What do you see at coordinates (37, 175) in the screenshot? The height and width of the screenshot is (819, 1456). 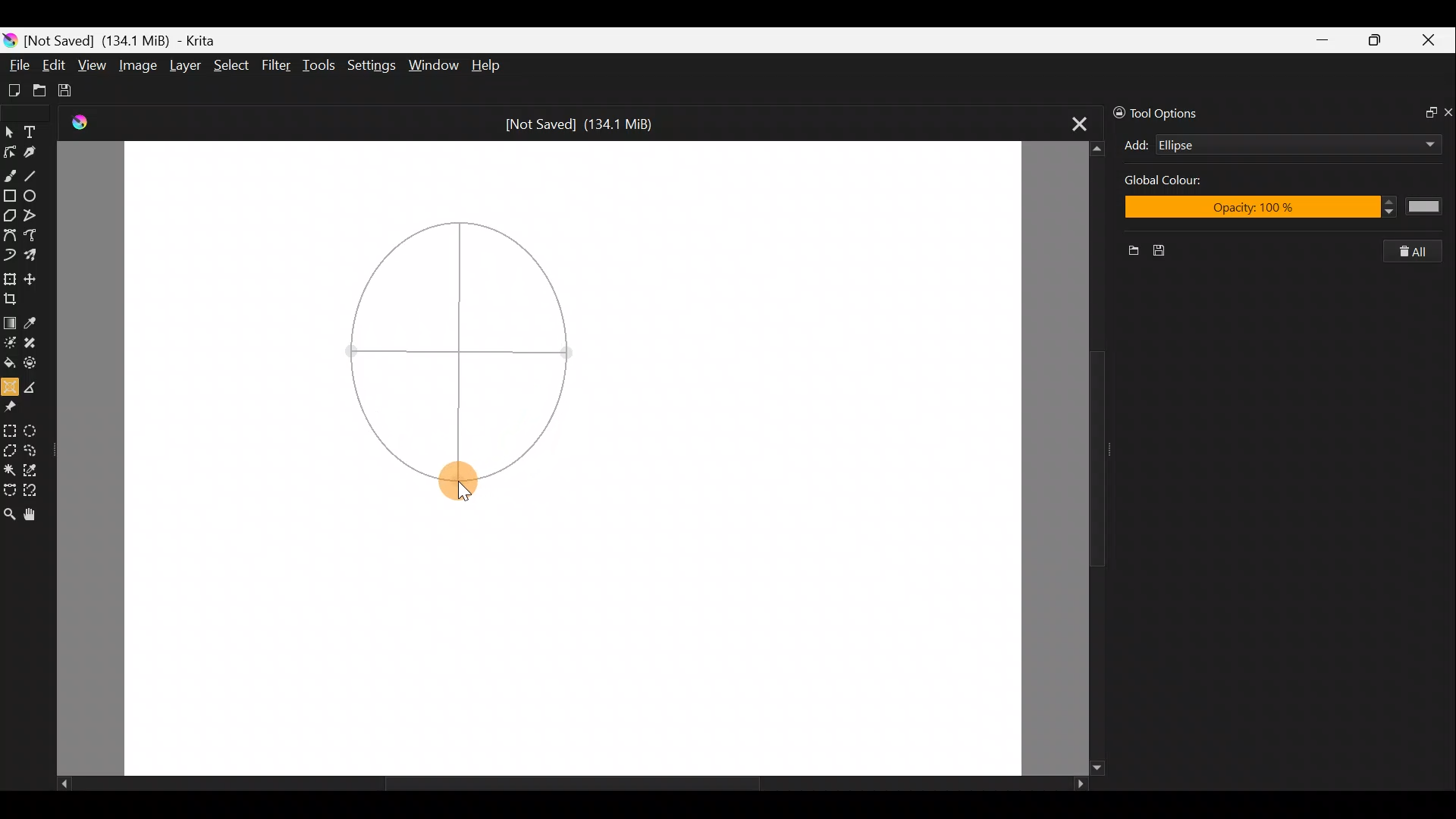 I see `Line` at bounding box center [37, 175].